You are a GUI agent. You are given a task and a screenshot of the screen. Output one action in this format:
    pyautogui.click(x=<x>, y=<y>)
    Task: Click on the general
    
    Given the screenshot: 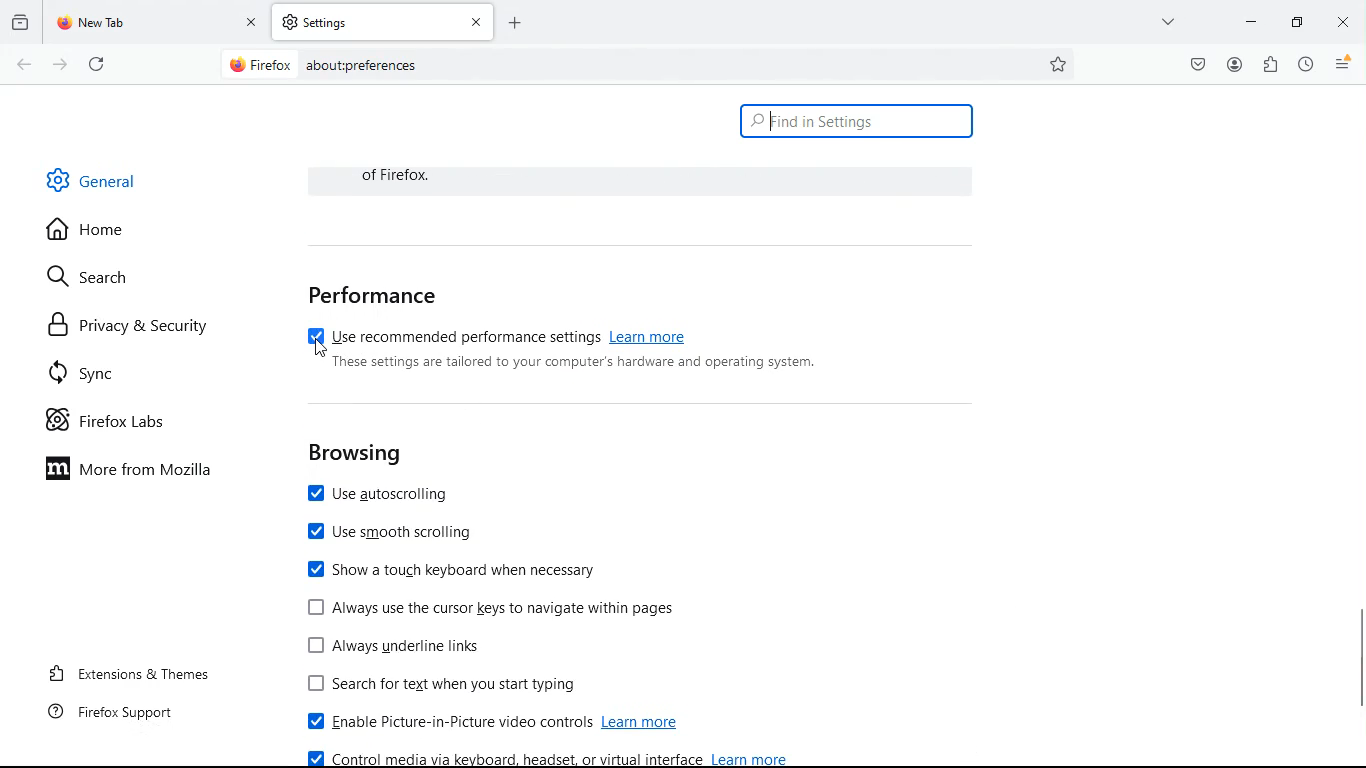 What is the action you would take?
    pyautogui.click(x=94, y=178)
    